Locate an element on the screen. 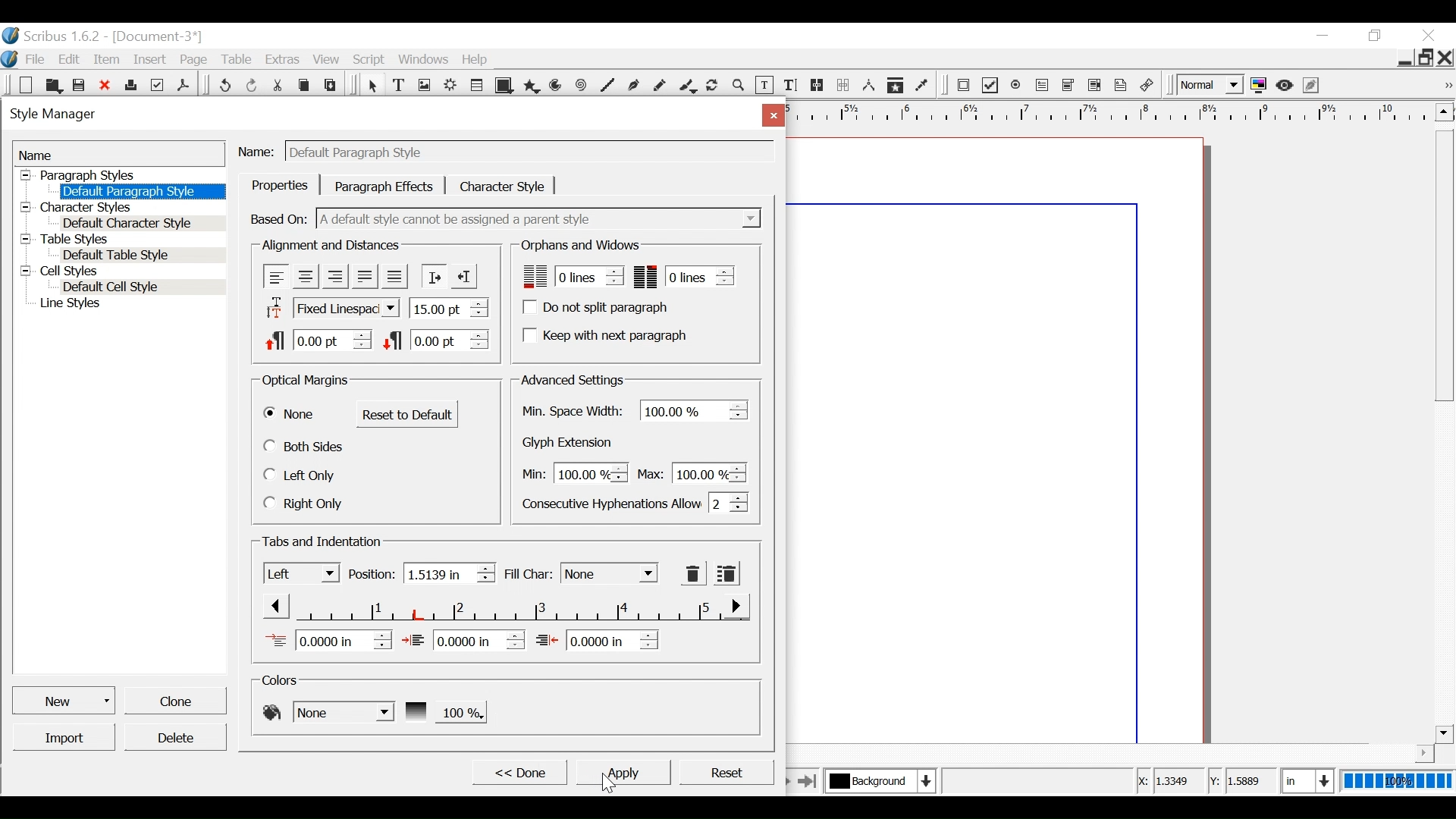 The height and width of the screenshot is (819, 1456). Vertical Scroll bar is located at coordinates (1444, 264).